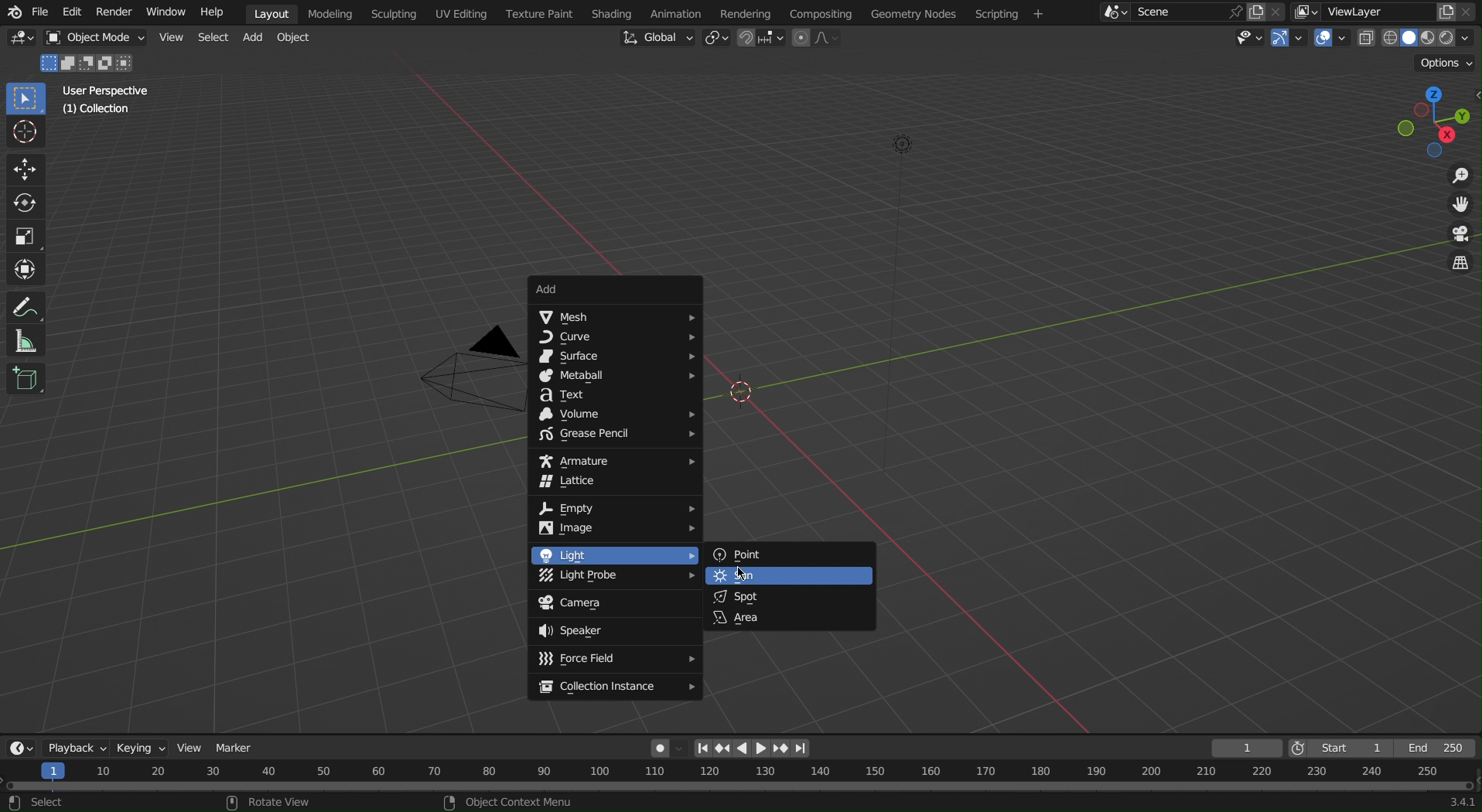 The image size is (1482, 812). I want to click on forward, so click(782, 749).